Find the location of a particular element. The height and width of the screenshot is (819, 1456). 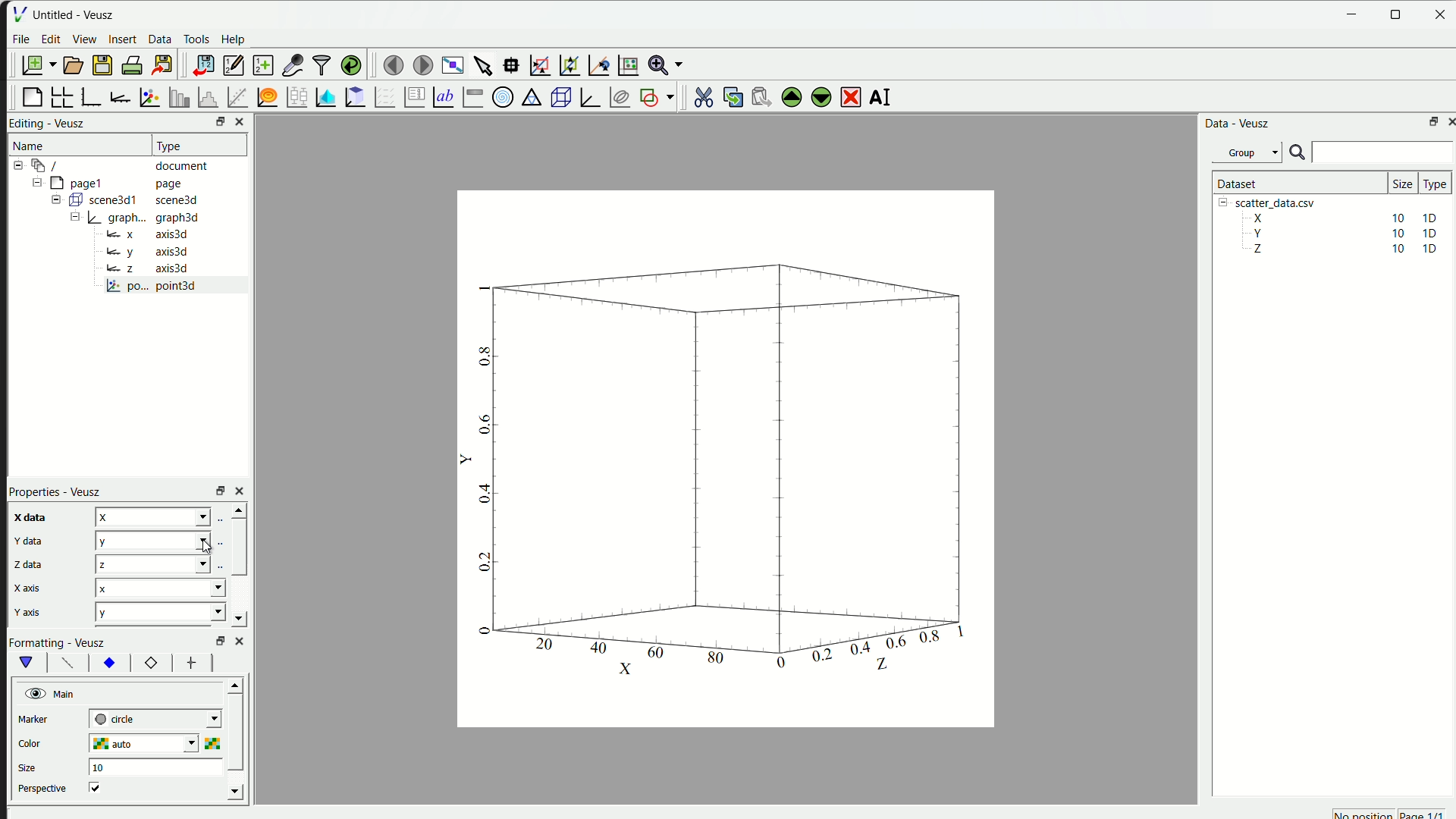

y data is located at coordinates (21, 539).